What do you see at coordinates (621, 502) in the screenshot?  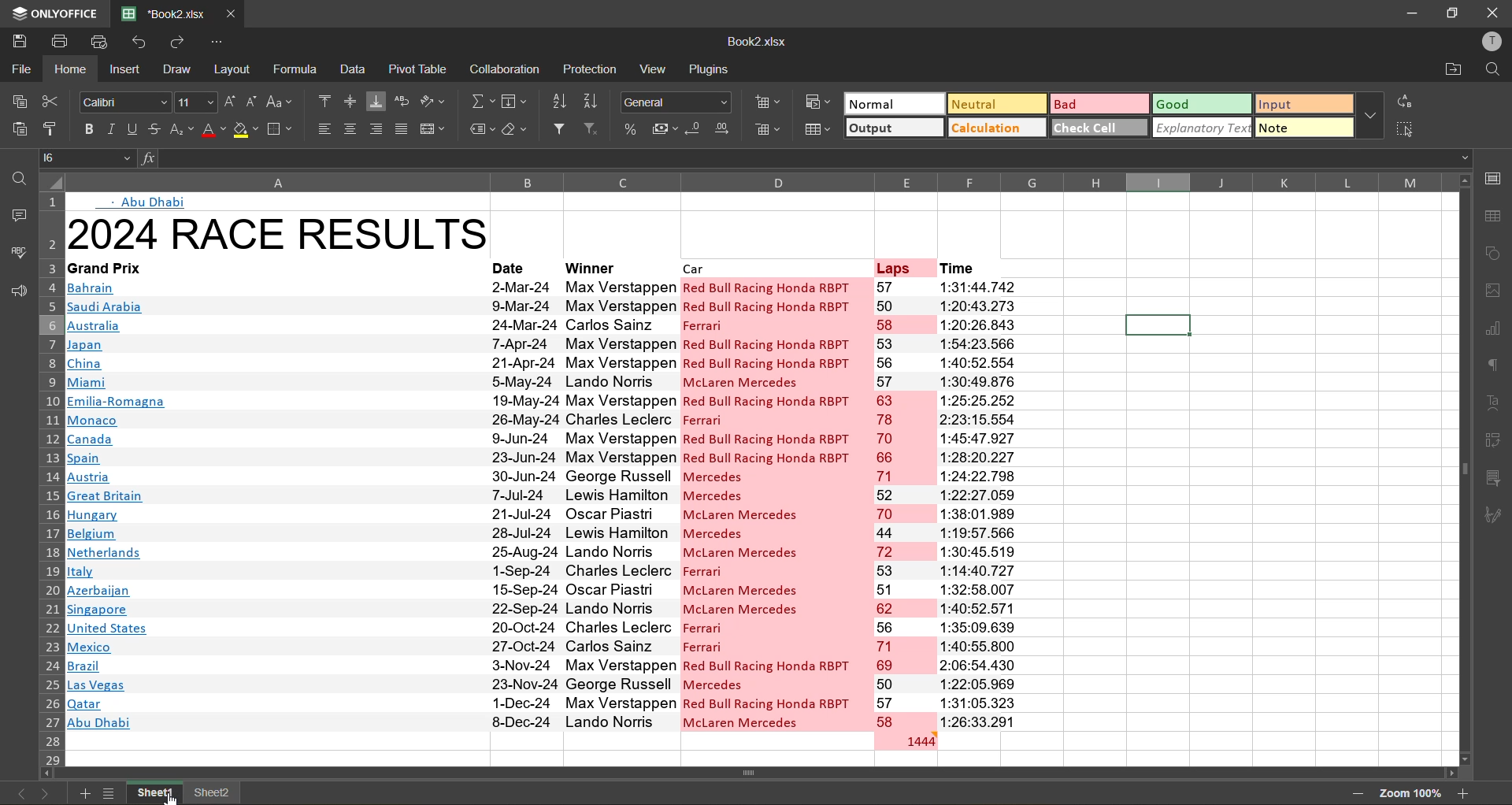 I see `winner name` at bounding box center [621, 502].